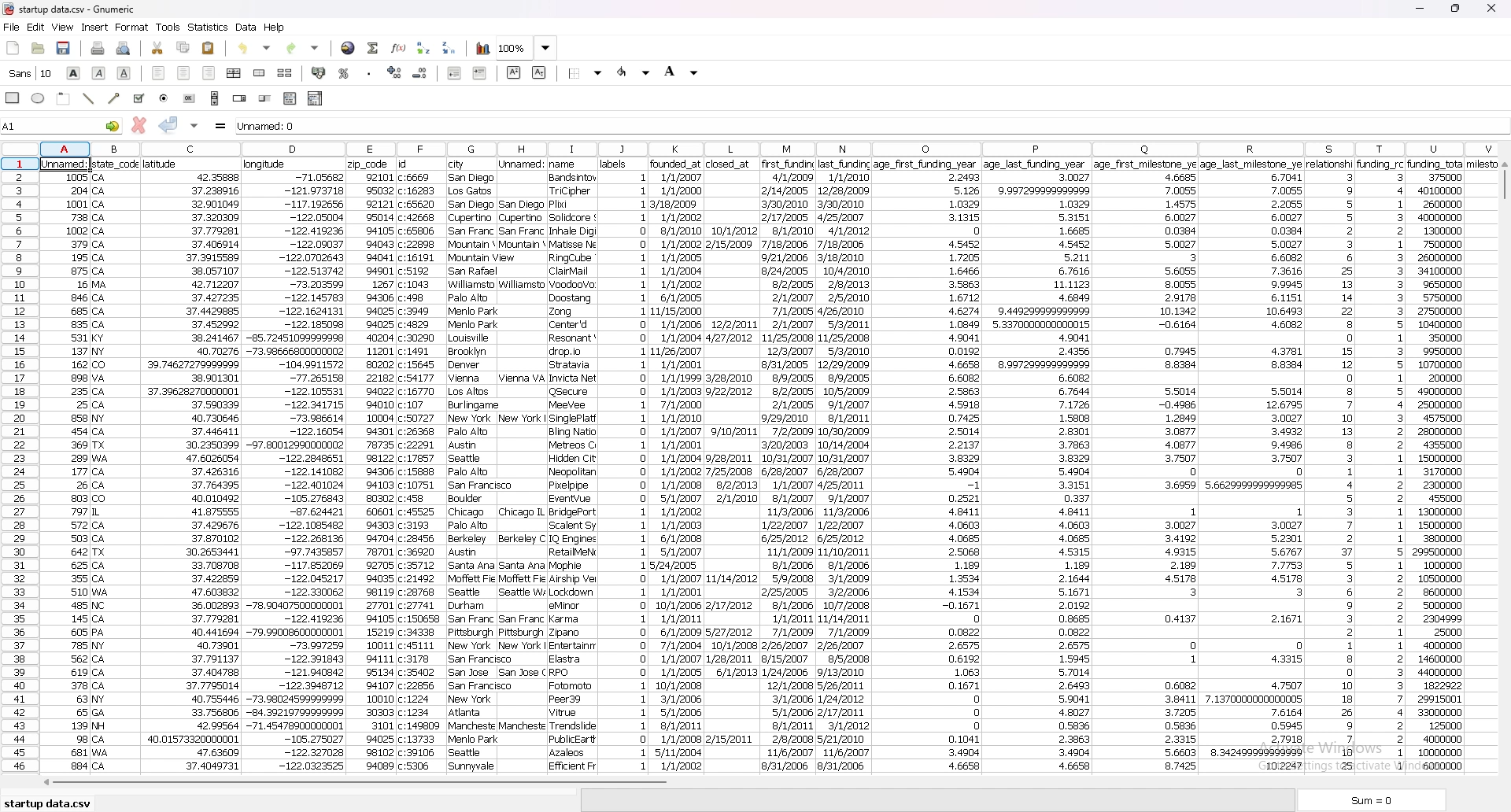 The image size is (1511, 812). I want to click on statistics, so click(209, 27).